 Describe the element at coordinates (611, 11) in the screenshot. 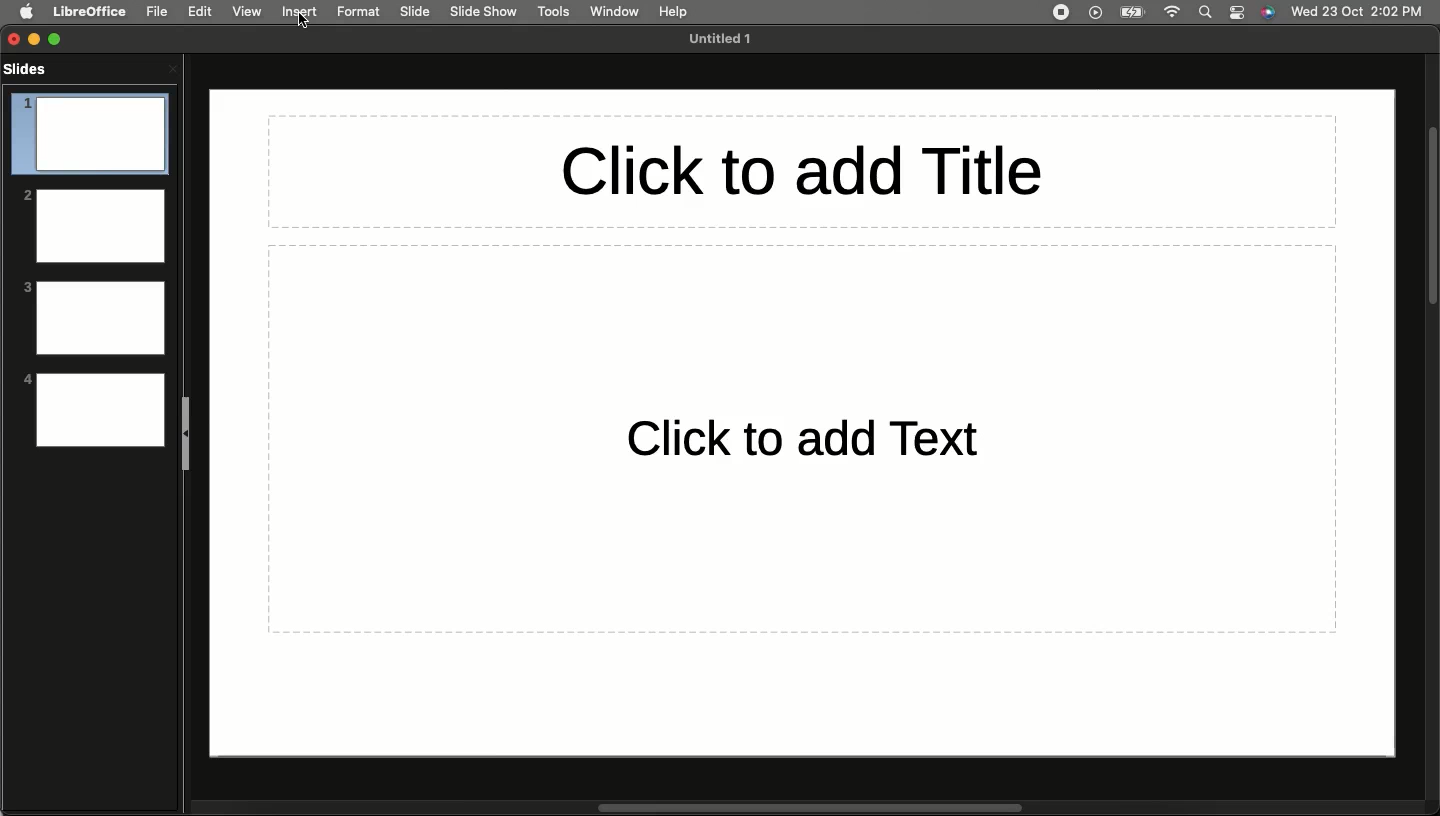

I see `Window` at that location.